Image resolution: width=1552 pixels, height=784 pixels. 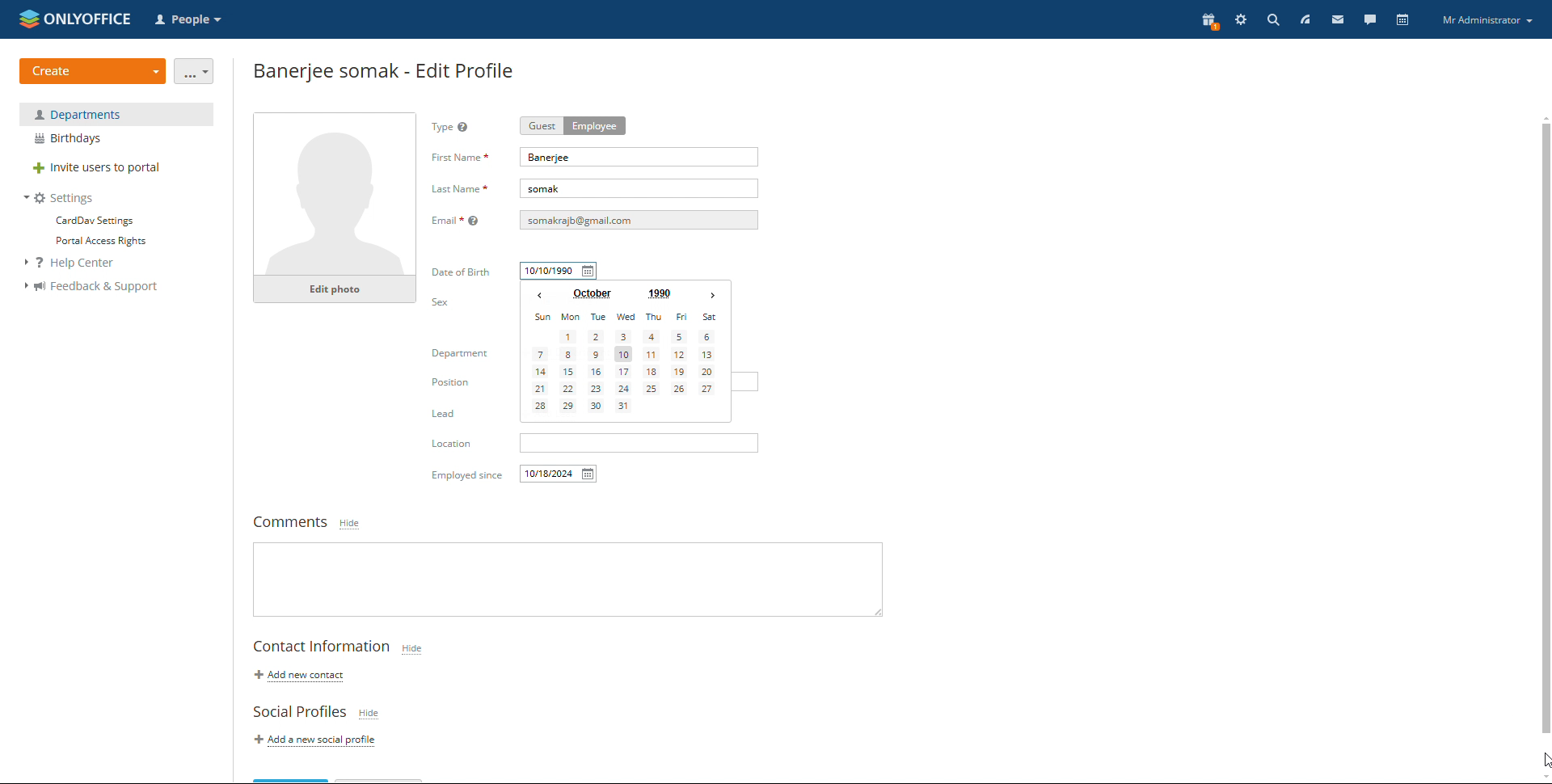 I want to click on date of birth, so click(x=559, y=272).